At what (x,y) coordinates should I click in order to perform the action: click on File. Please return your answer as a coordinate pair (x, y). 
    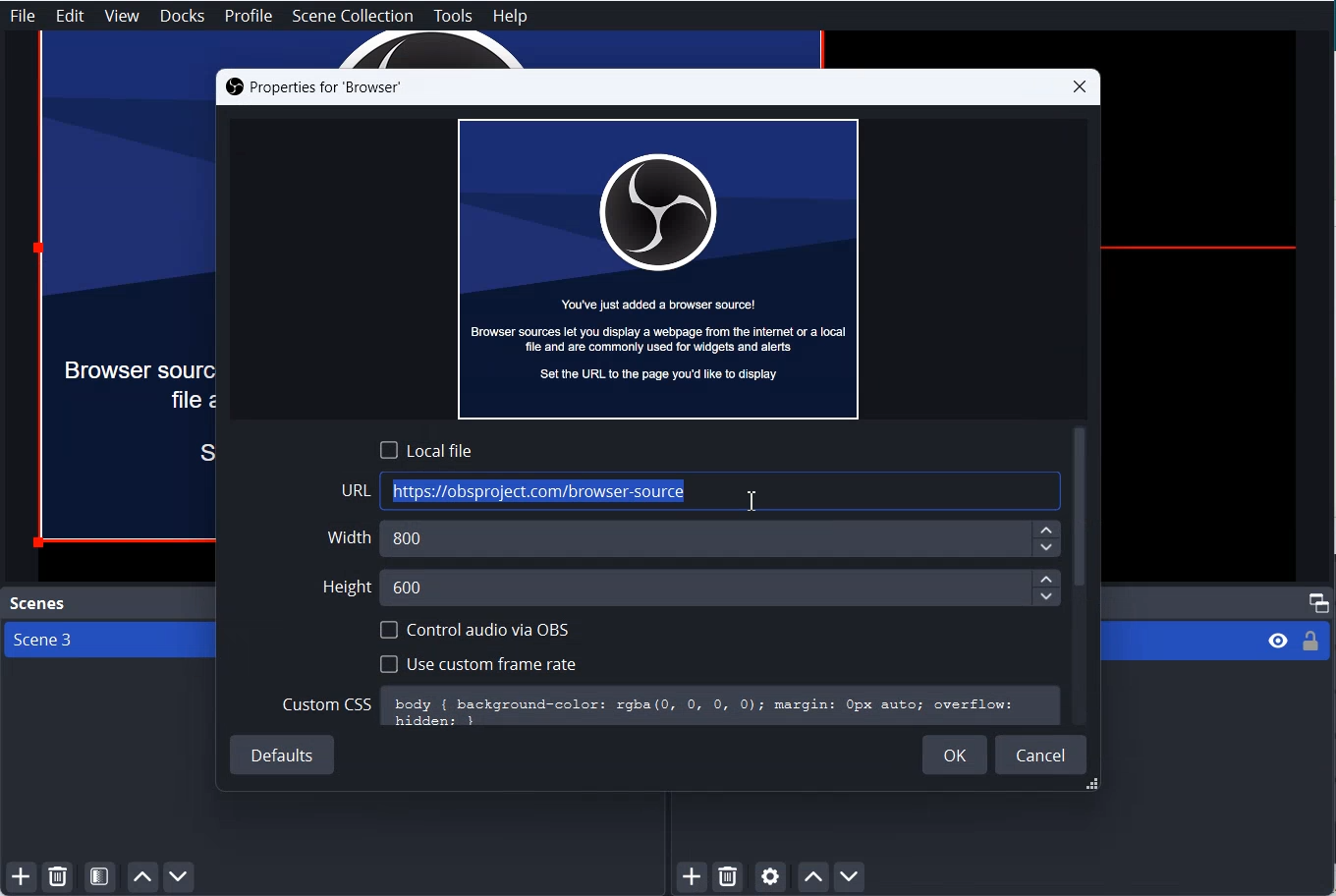
    Looking at the image, I should click on (23, 15).